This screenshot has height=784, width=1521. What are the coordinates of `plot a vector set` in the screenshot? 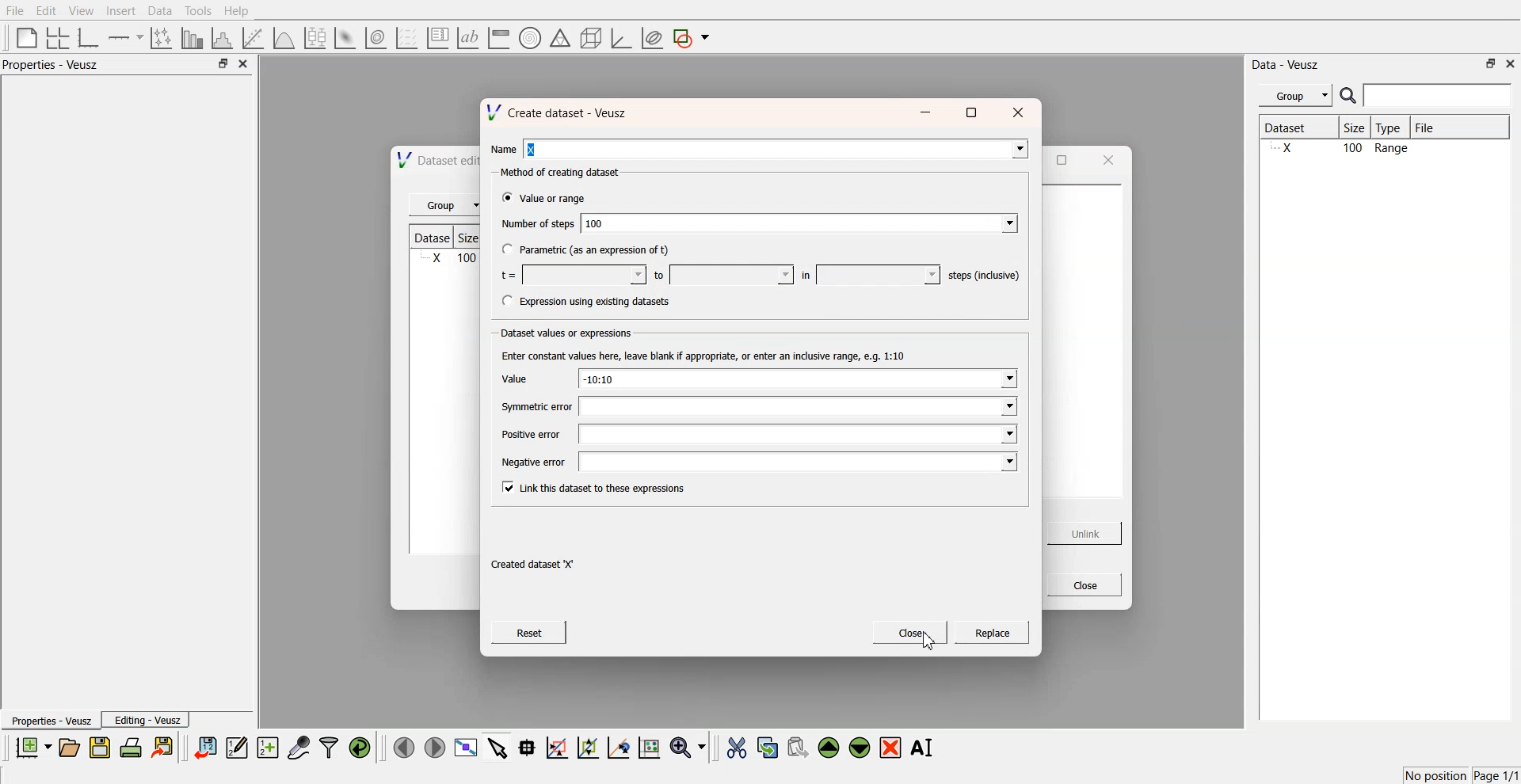 It's located at (408, 38).